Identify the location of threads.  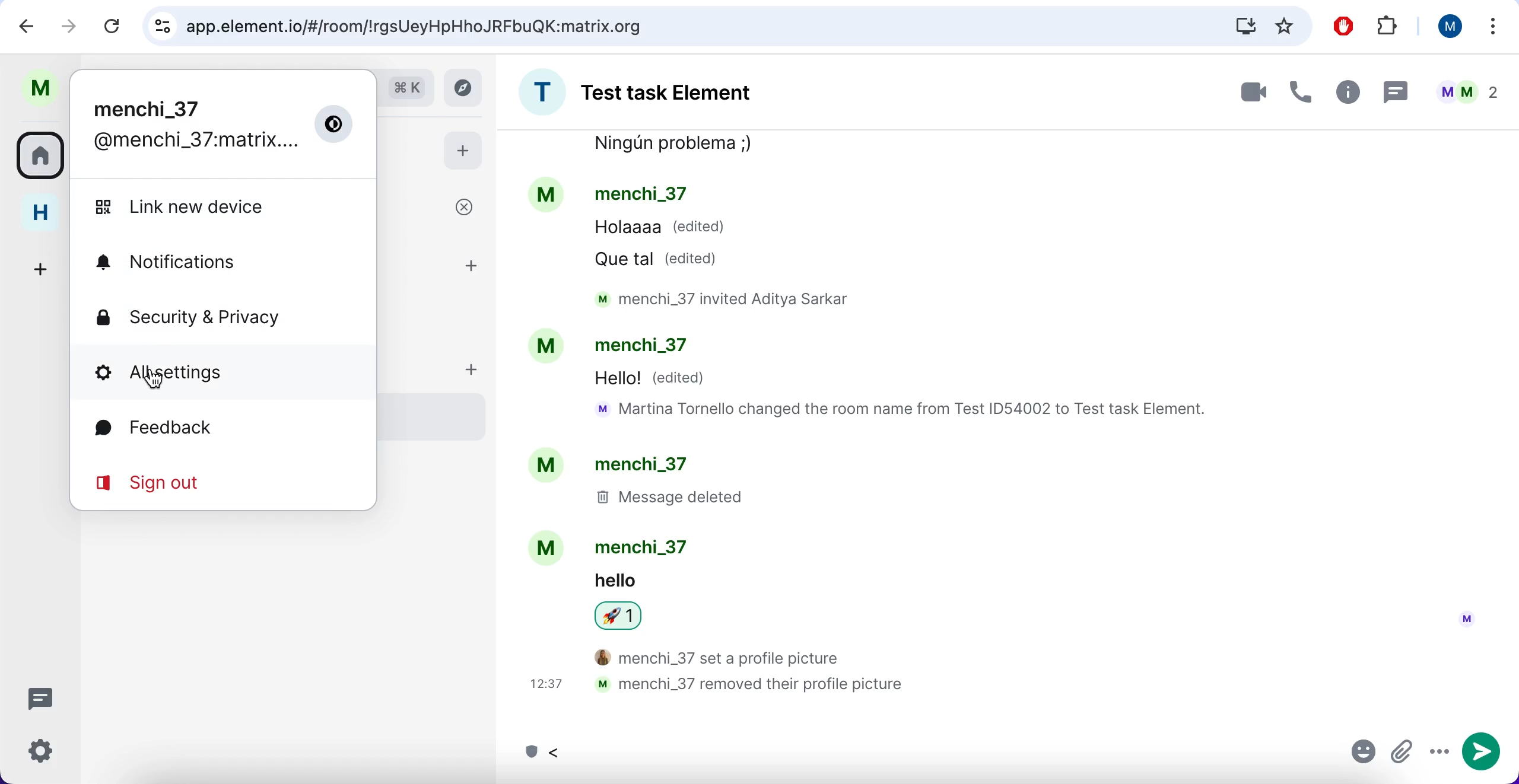
(1397, 93).